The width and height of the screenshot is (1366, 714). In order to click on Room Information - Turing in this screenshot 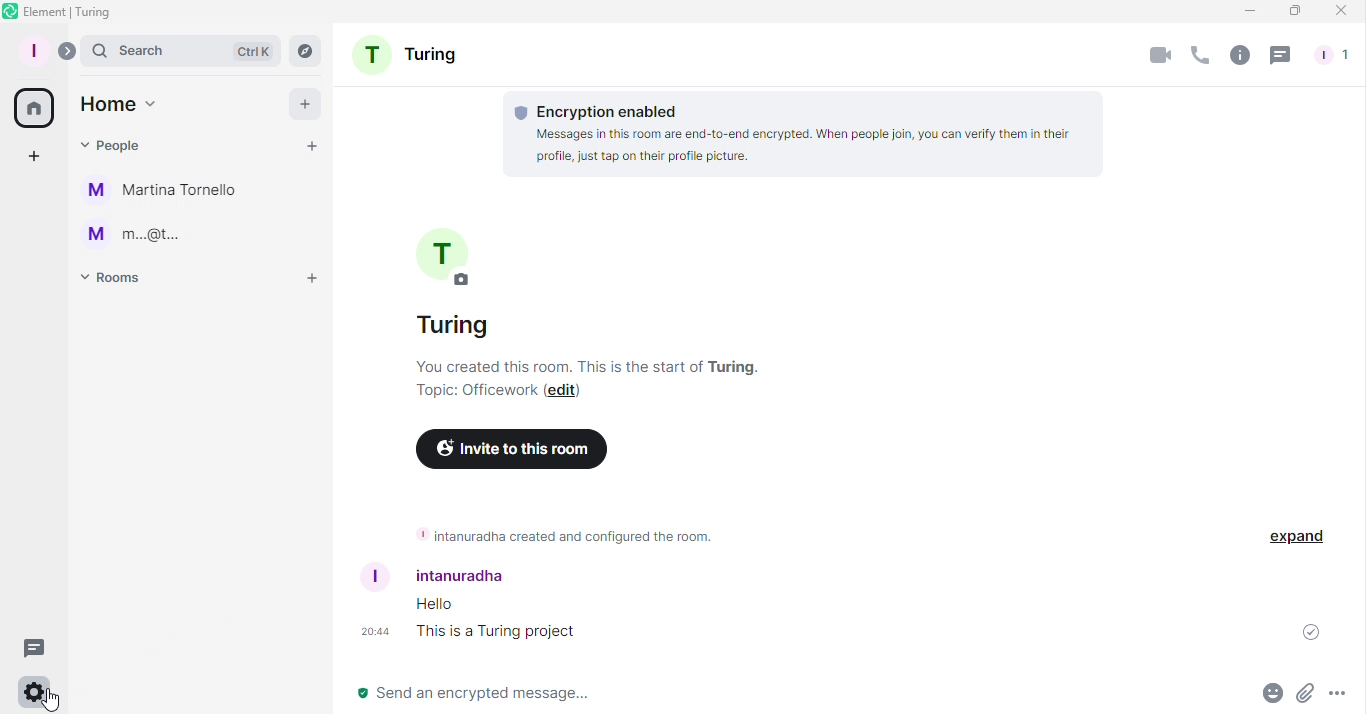, I will do `click(613, 304)`.